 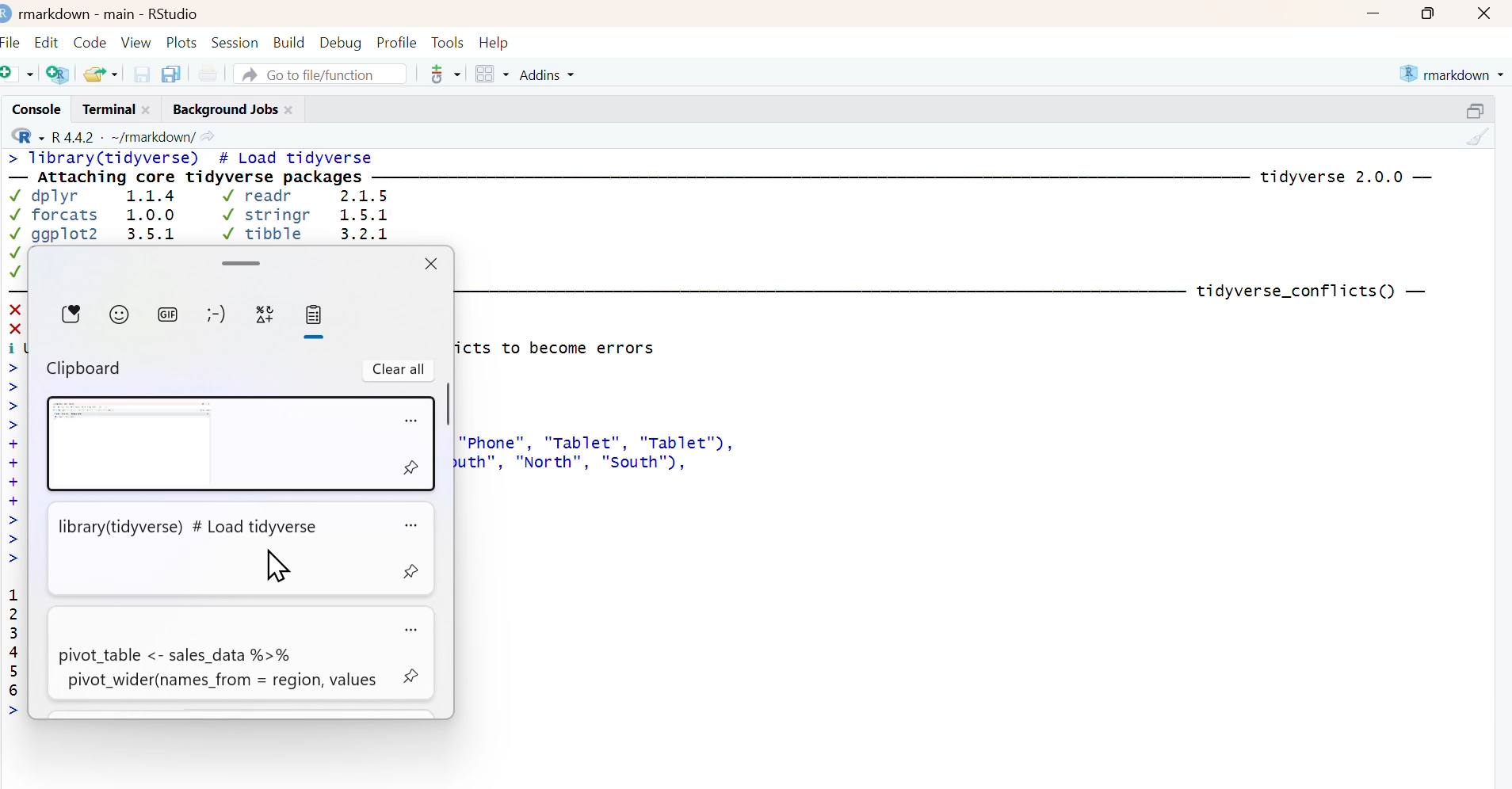 What do you see at coordinates (169, 318) in the screenshot?
I see `GIFs` at bounding box center [169, 318].